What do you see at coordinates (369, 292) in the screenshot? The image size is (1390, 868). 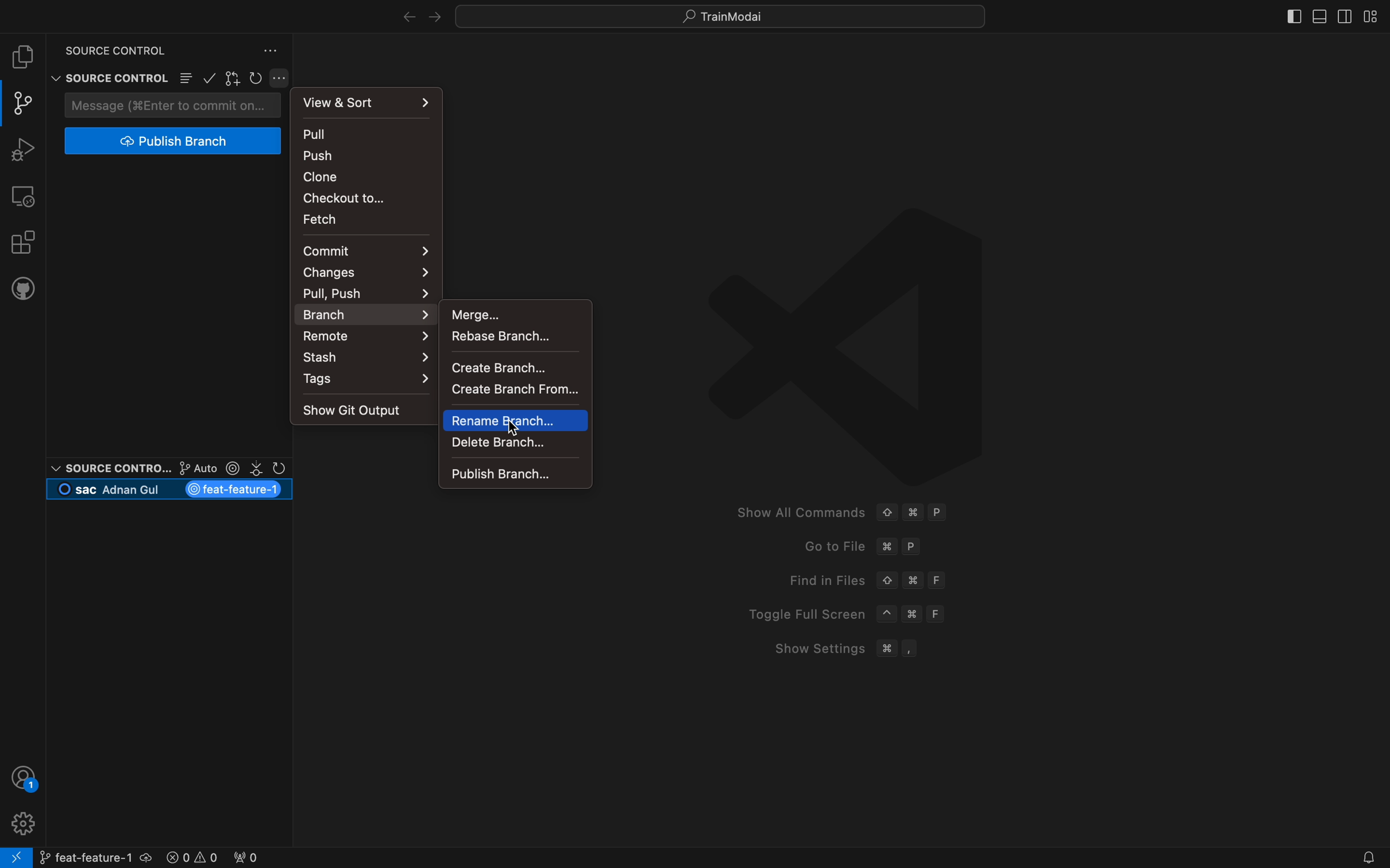 I see `pull ,push` at bounding box center [369, 292].